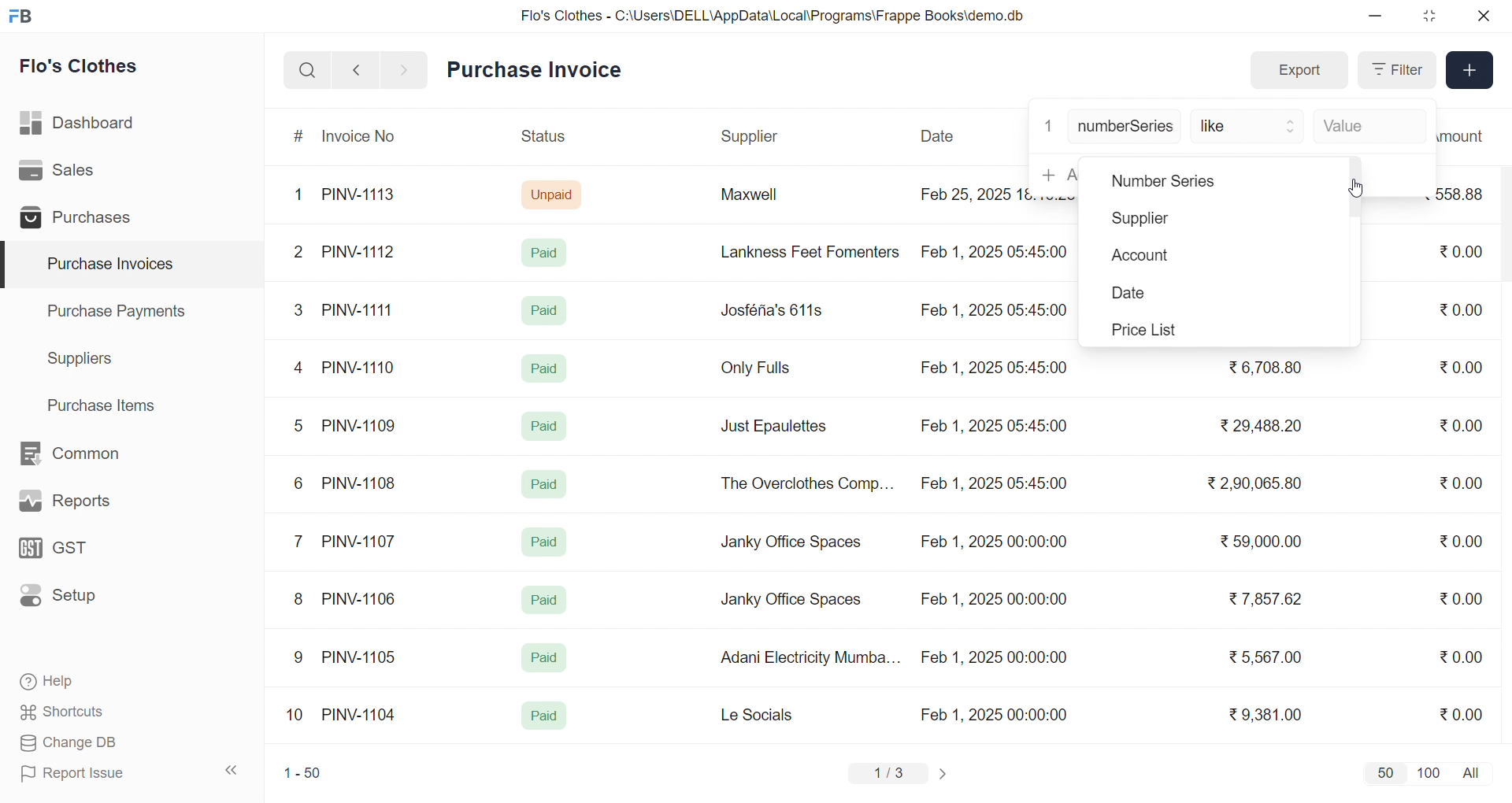 This screenshot has height=803, width=1512. I want to click on Janky Office Spaces, so click(791, 601).